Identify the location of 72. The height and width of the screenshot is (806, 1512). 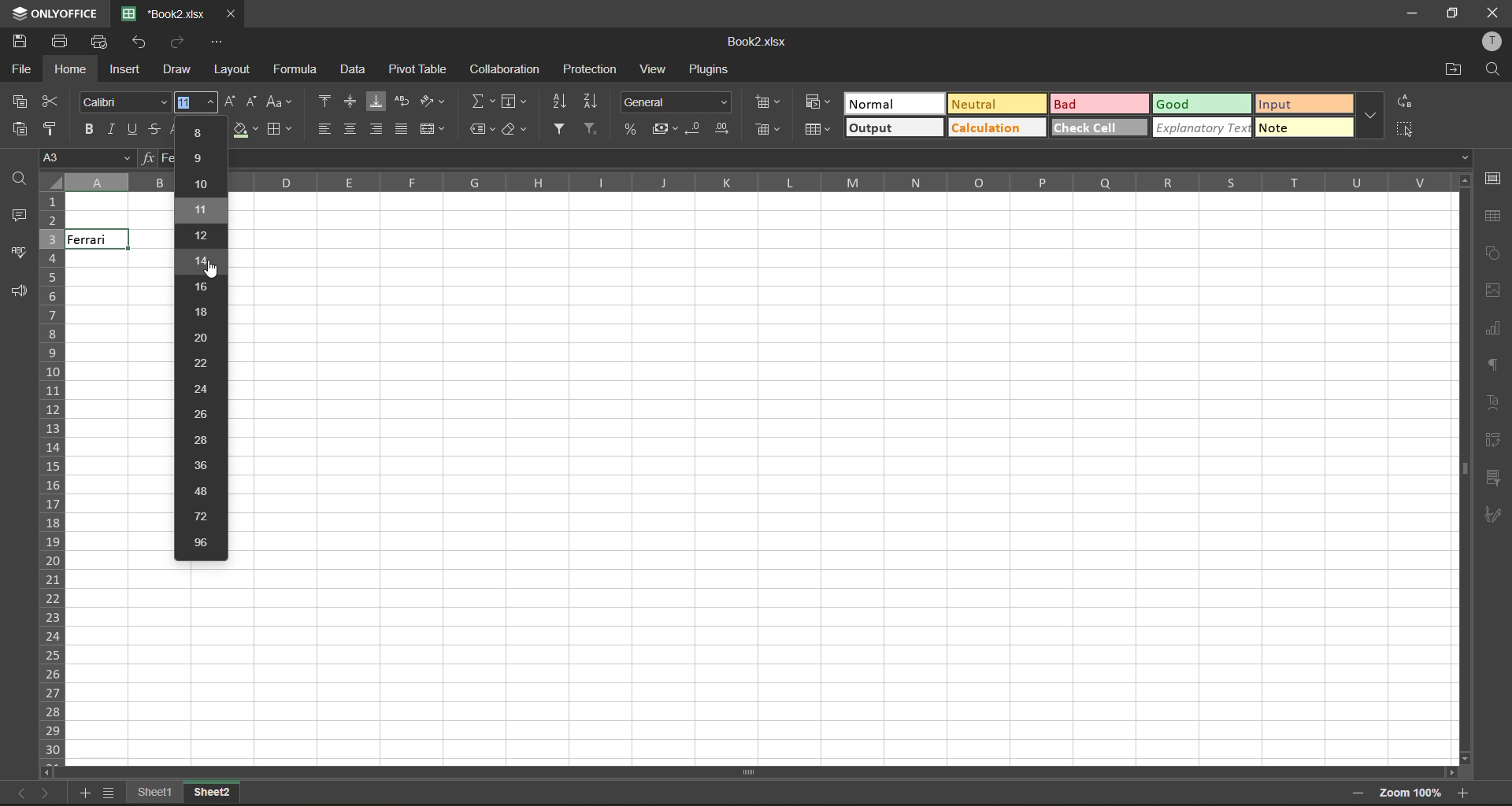
(203, 516).